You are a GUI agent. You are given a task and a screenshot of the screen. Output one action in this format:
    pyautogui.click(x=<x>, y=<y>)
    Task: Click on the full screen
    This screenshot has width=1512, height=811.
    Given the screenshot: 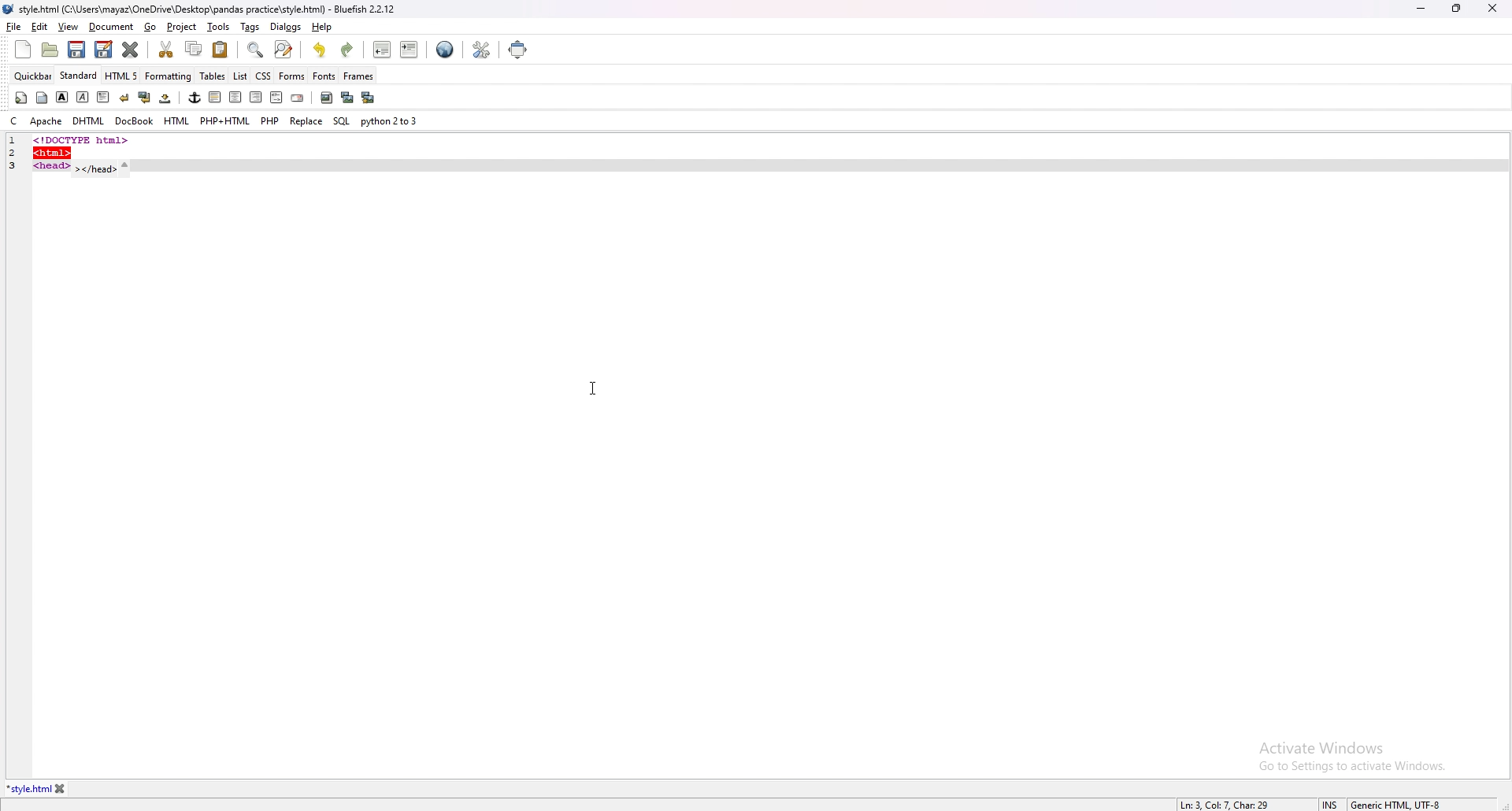 What is the action you would take?
    pyautogui.click(x=520, y=49)
    